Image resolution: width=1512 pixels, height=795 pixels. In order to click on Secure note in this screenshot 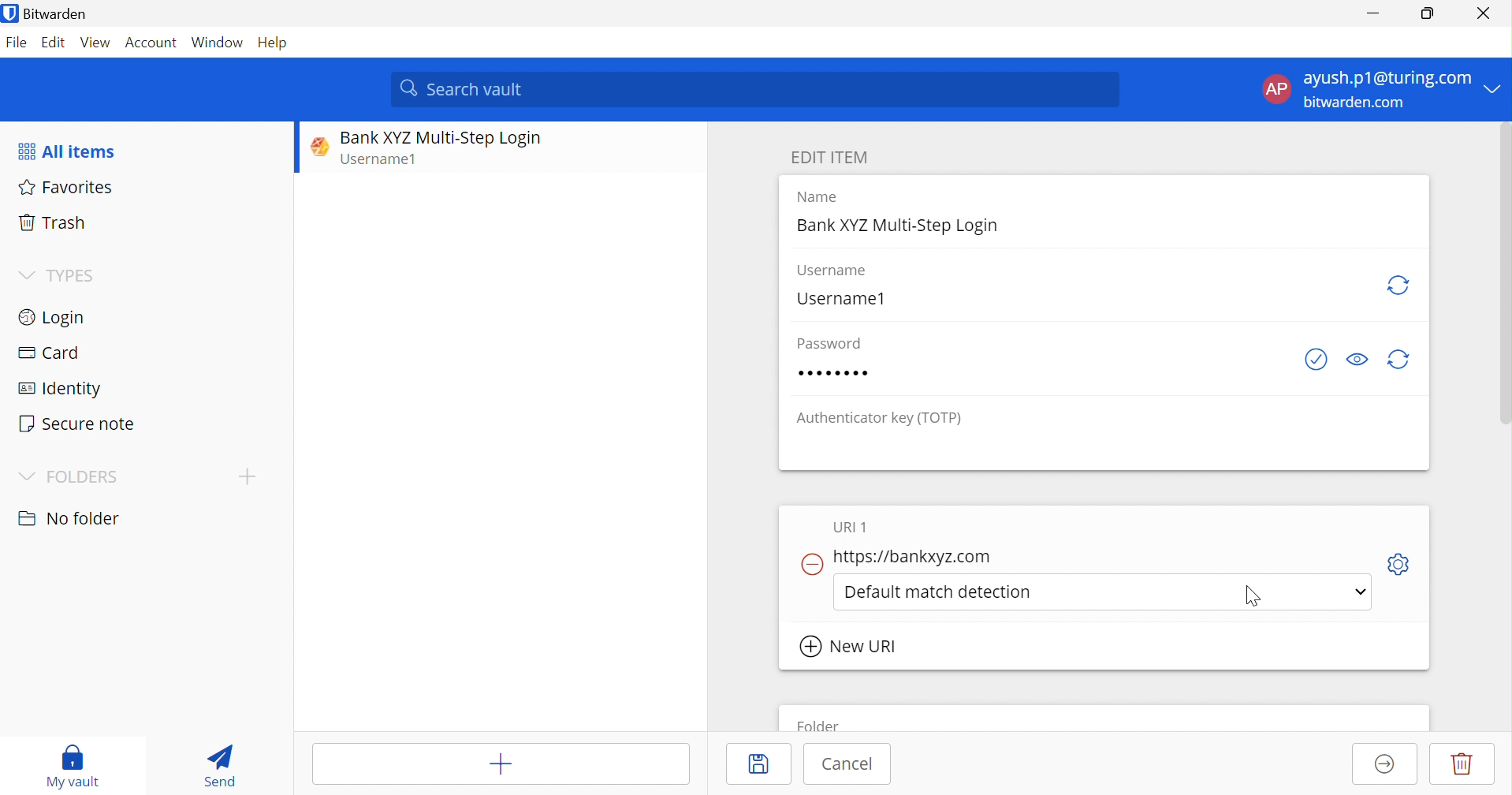, I will do `click(77, 424)`.